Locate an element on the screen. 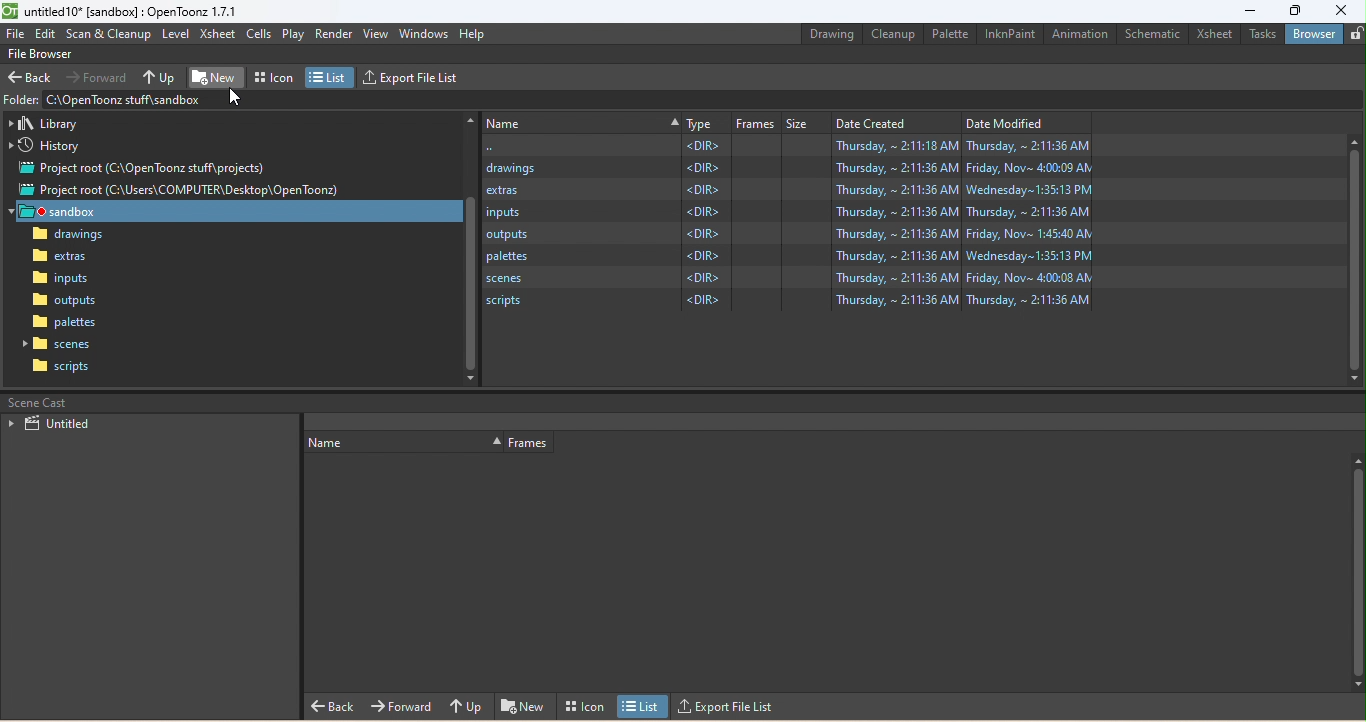  History is located at coordinates (44, 146).